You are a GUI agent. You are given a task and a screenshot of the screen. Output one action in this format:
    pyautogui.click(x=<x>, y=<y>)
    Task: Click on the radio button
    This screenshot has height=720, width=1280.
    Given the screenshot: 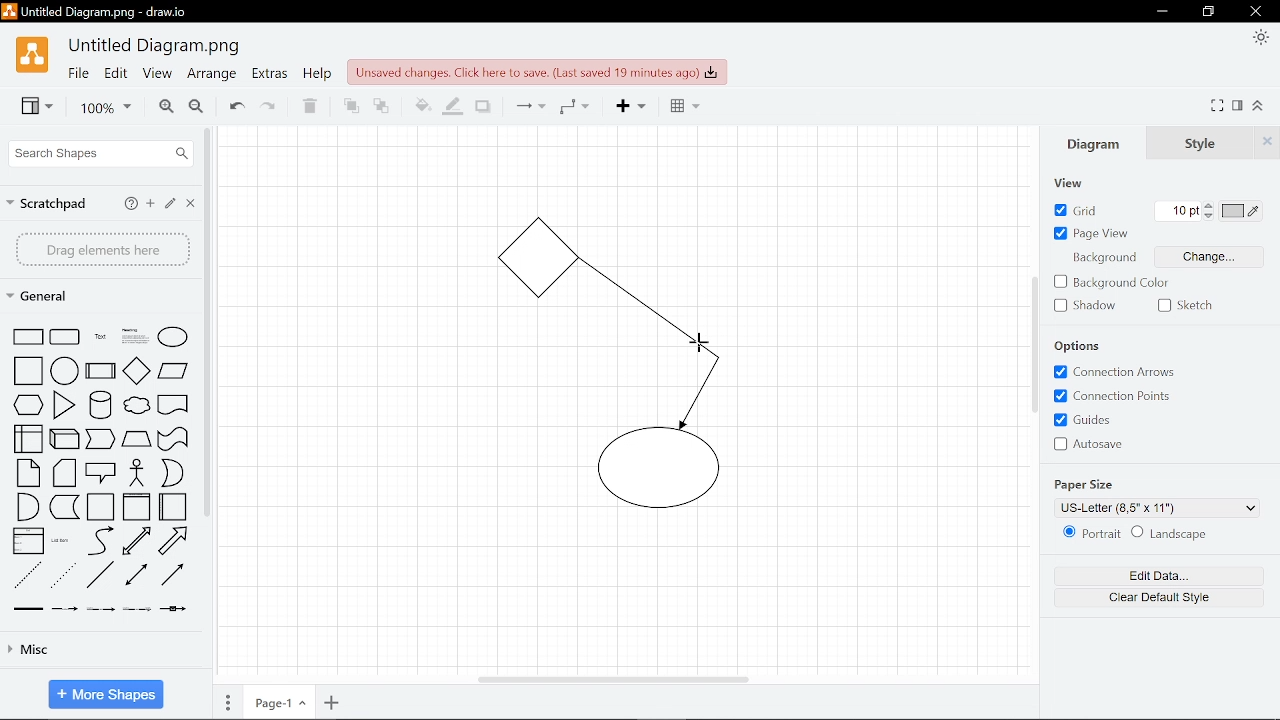 What is the action you would take?
    pyautogui.click(x=1065, y=532)
    